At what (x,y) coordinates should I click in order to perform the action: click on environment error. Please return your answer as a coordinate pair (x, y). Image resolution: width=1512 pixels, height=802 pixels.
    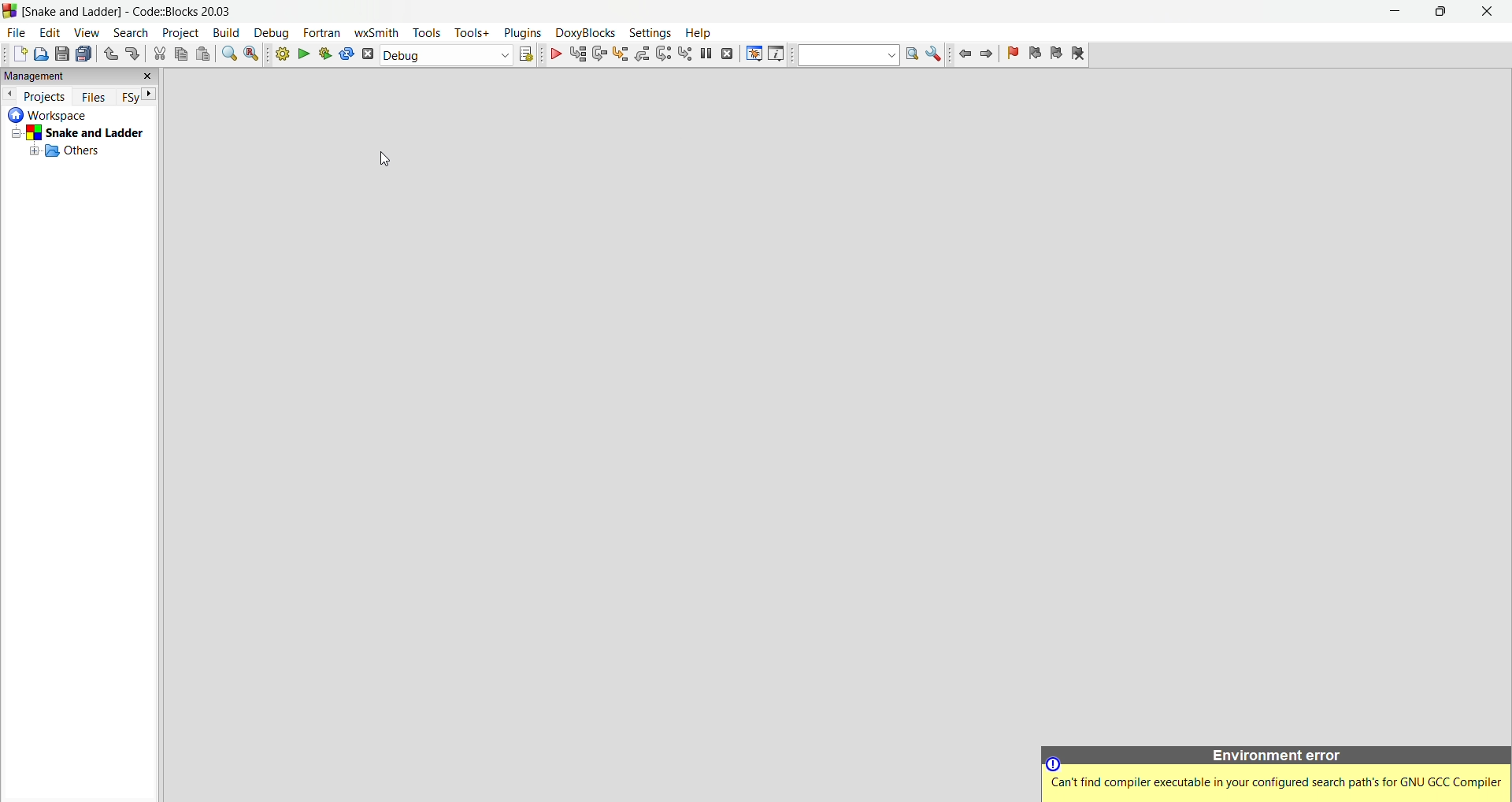
    Looking at the image, I should click on (1276, 753).